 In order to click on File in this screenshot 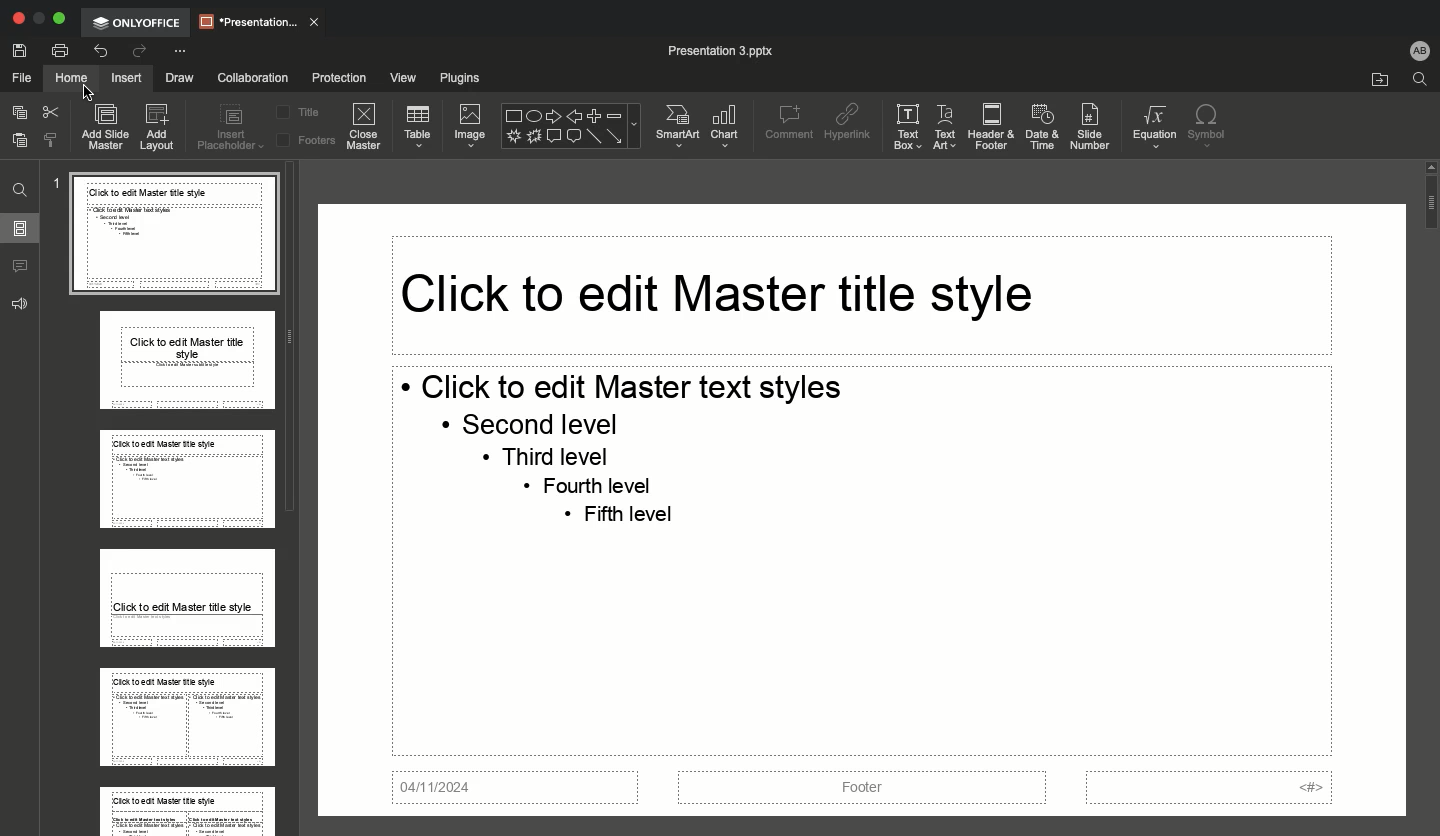, I will do `click(19, 76)`.